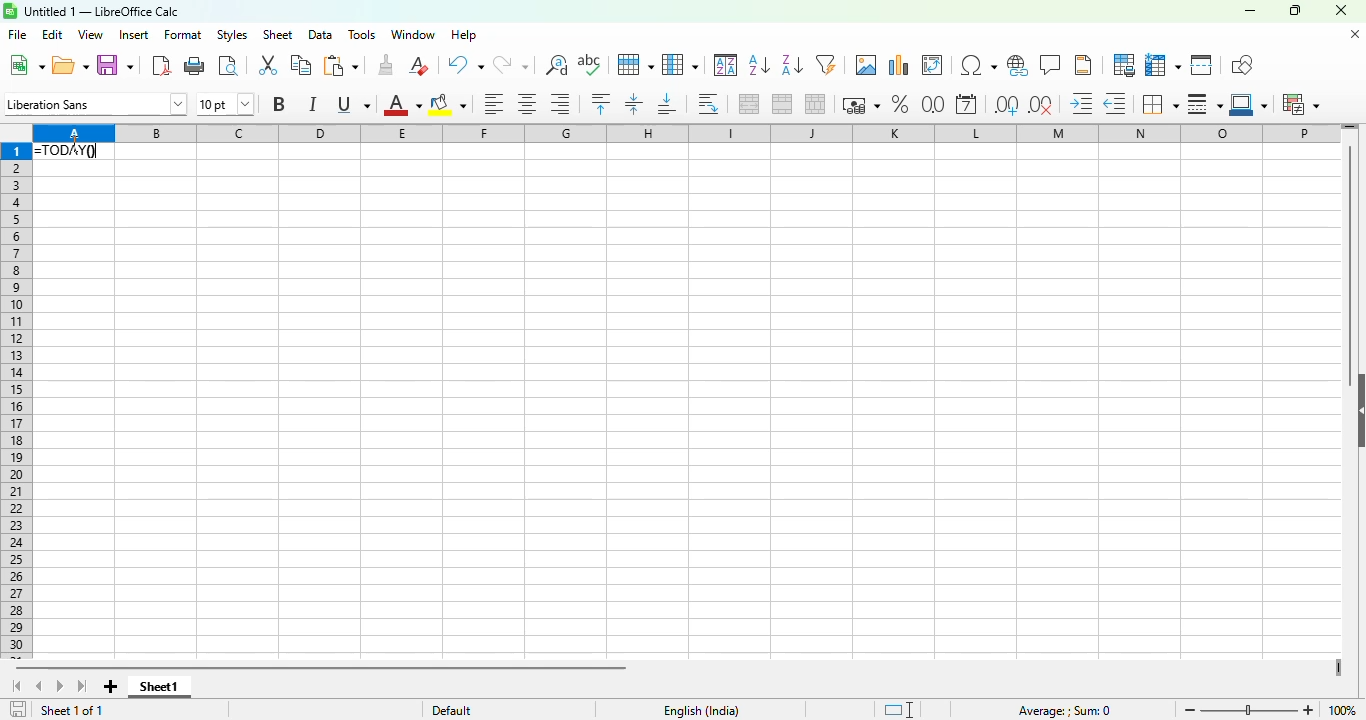 This screenshot has width=1366, height=720. Describe the element at coordinates (860, 105) in the screenshot. I see `format as currency` at that location.